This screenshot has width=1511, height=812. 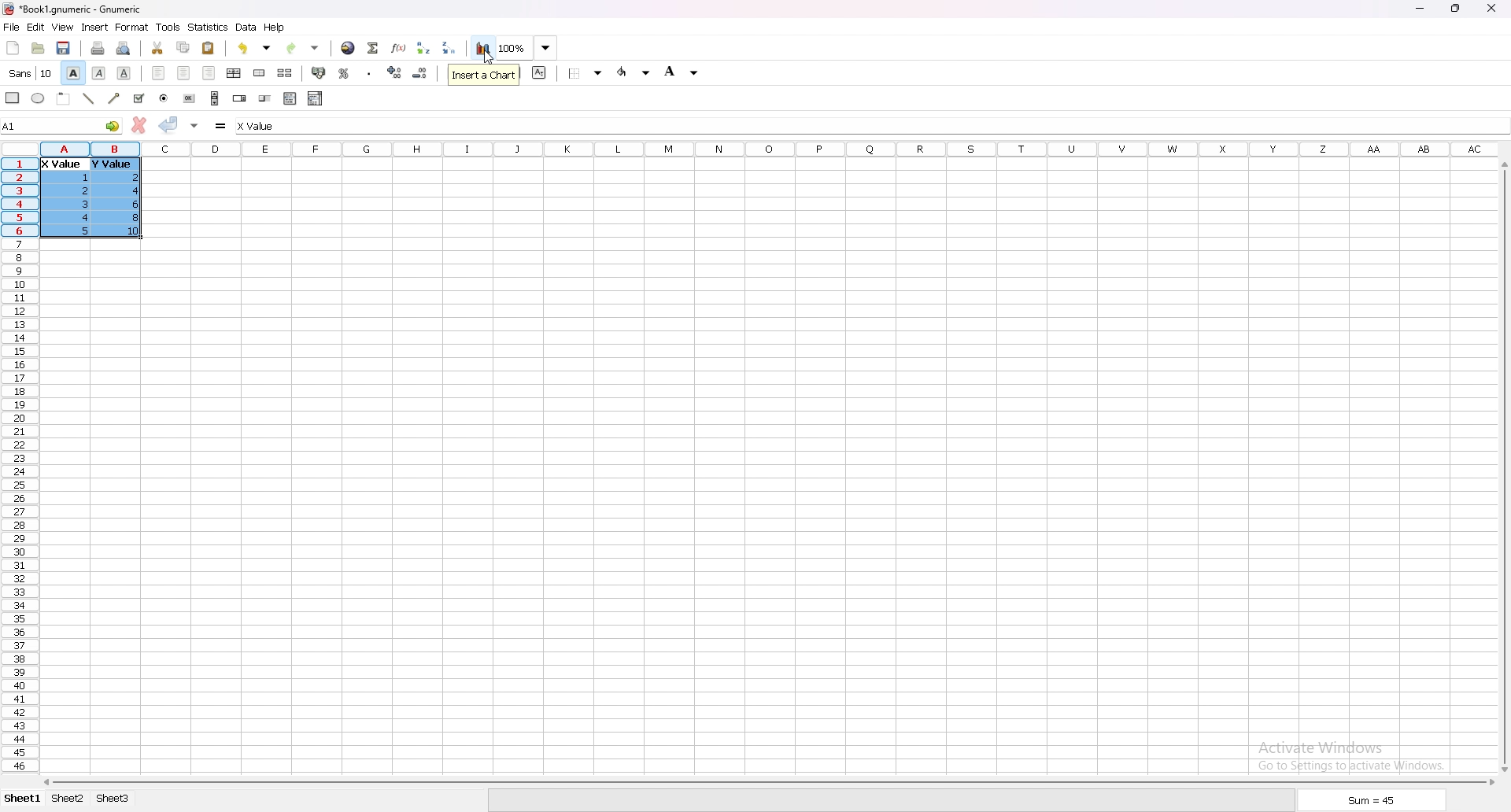 What do you see at coordinates (63, 48) in the screenshot?
I see `save` at bounding box center [63, 48].